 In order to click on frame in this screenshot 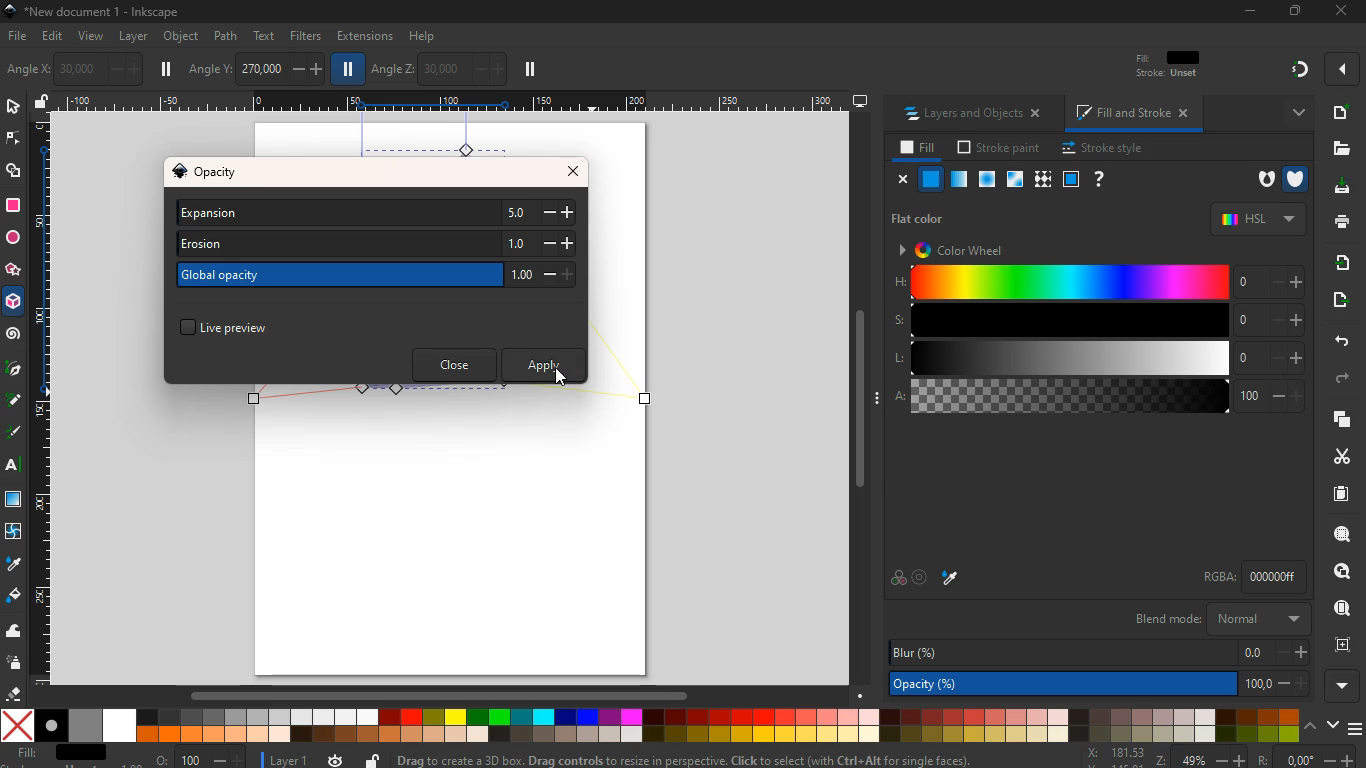, I will do `click(1342, 645)`.